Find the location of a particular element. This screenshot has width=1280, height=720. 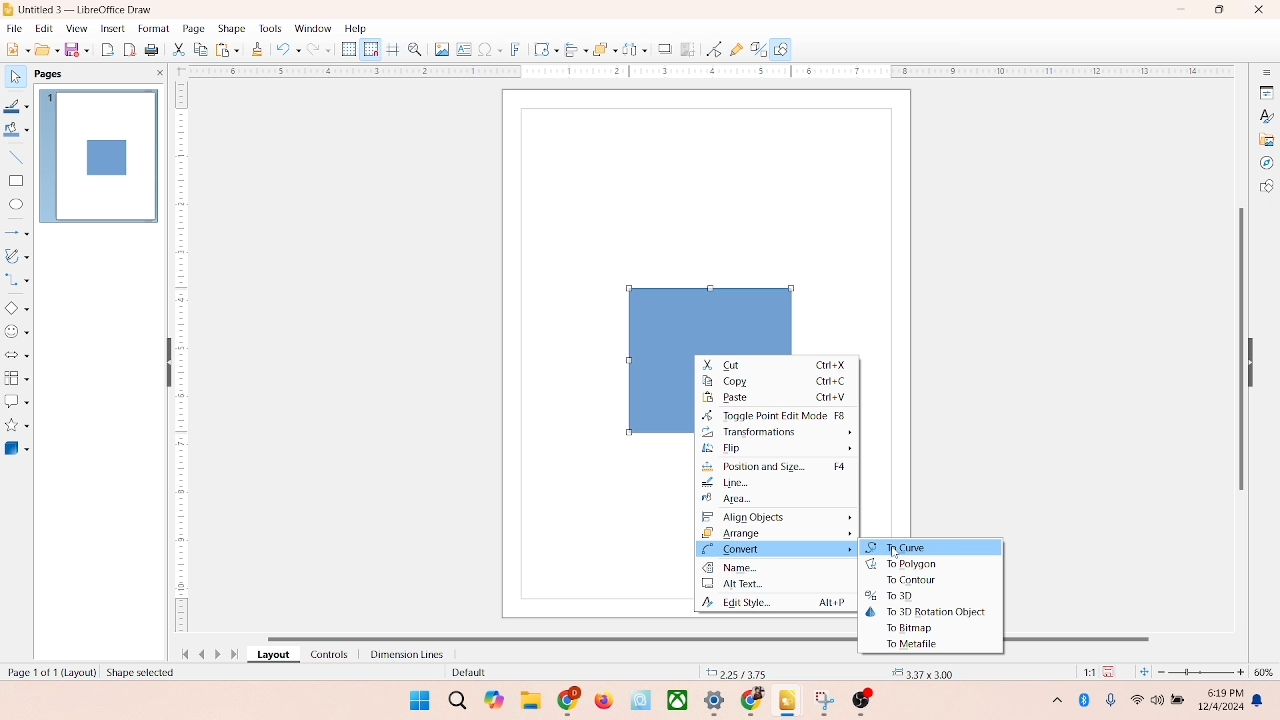

hide is located at coordinates (165, 364).